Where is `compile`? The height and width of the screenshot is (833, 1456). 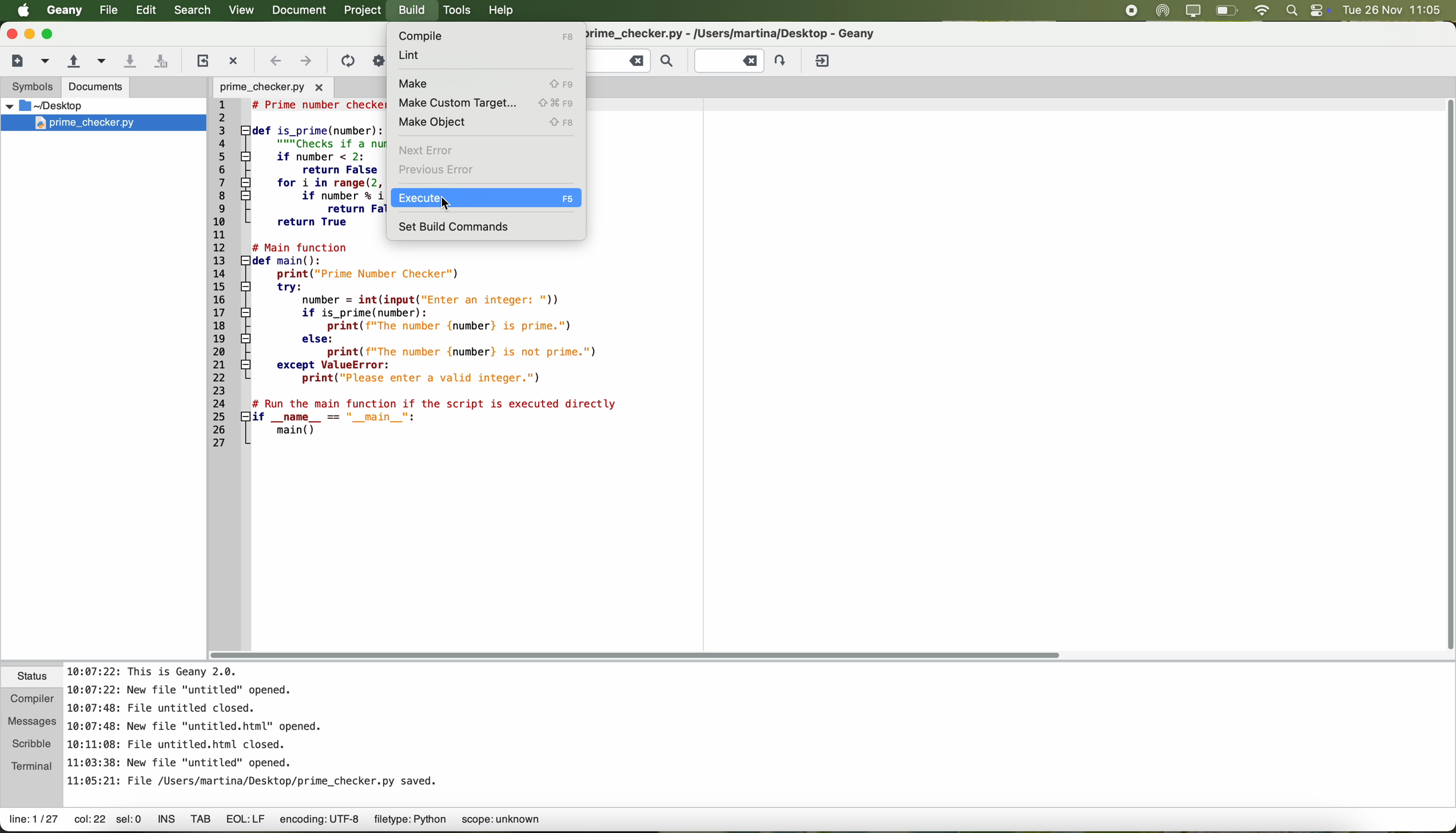 compile is located at coordinates (483, 35).